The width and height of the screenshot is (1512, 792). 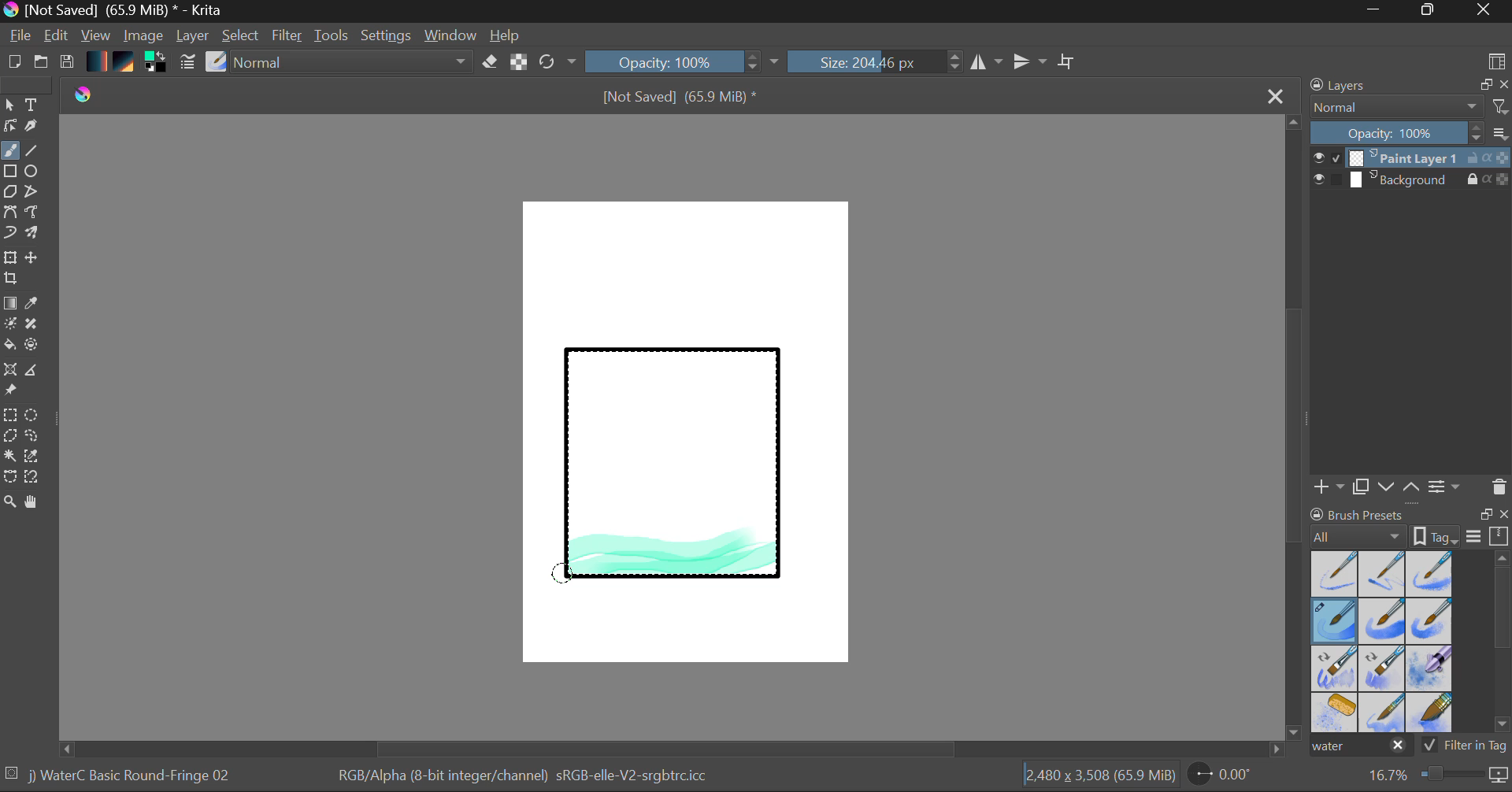 What do you see at coordinates (20, 38) in the screenshot?
I see `File` at bounding box center [20, 38].